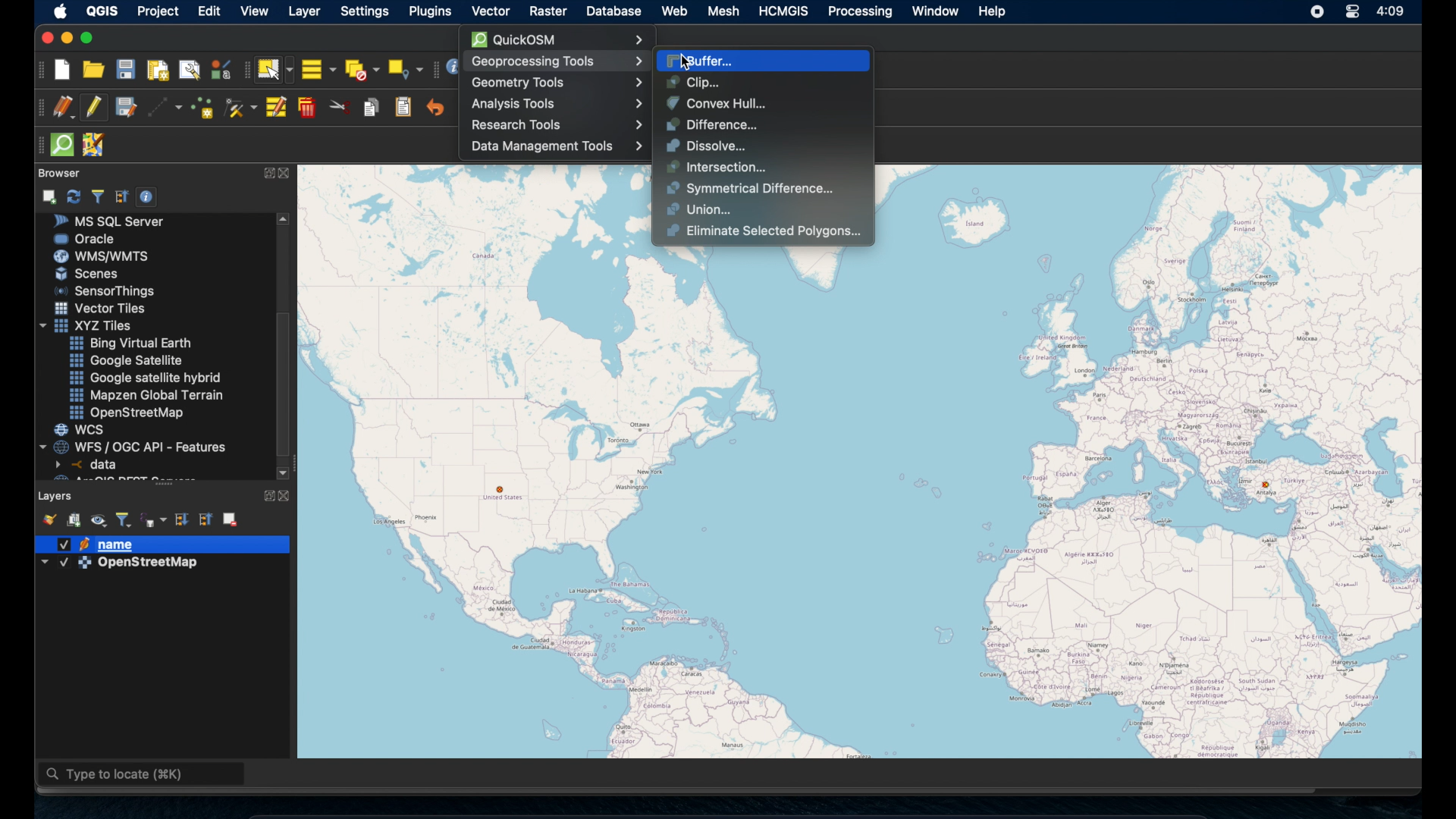 The image size is (1456, 819). What do you see at coordinates (121, 195) in the screenshot?
I see `collapse all` at bounding box center [121, 195].